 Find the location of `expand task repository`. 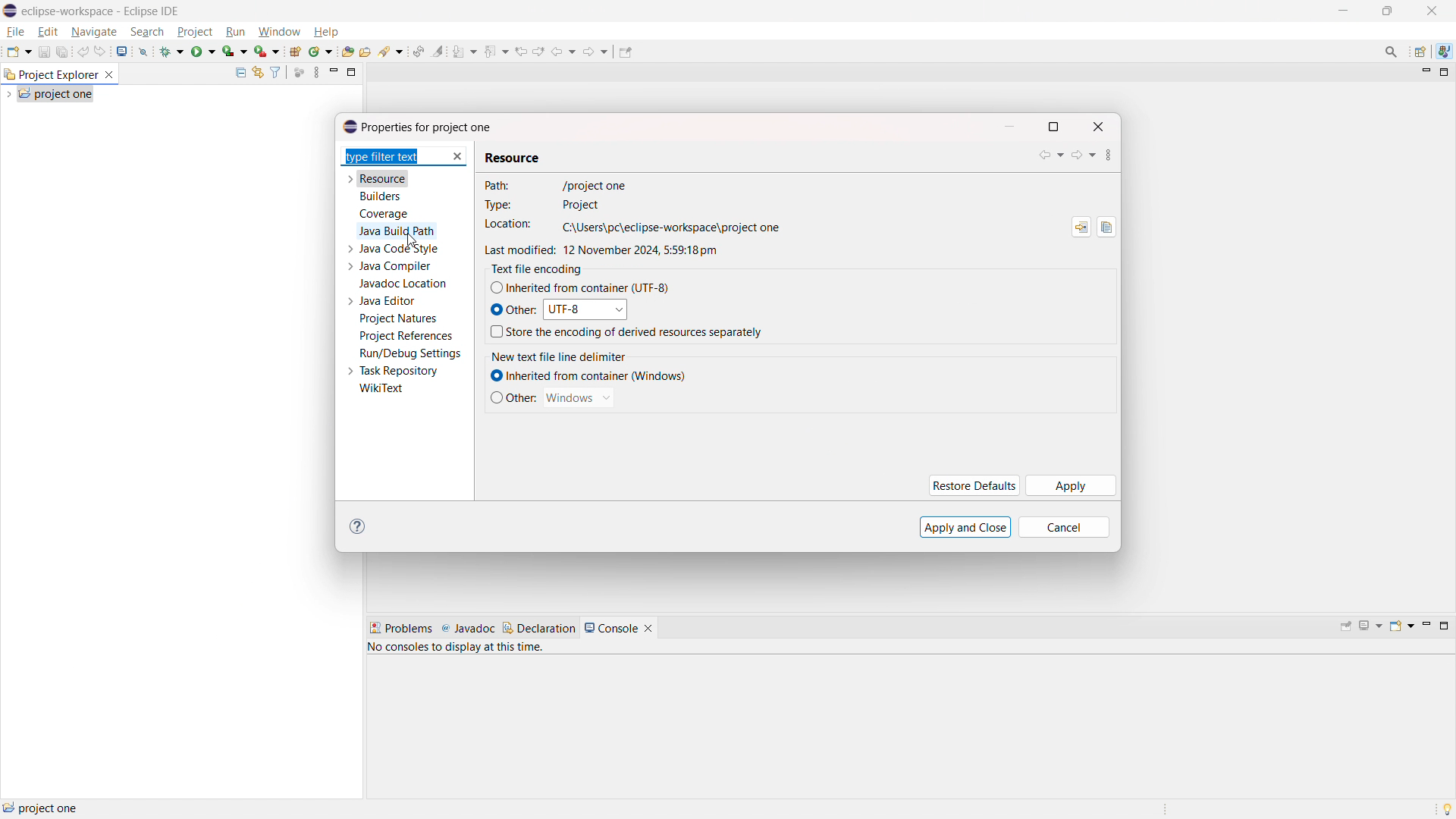

expand task repository is located at coordinates (349, 372).